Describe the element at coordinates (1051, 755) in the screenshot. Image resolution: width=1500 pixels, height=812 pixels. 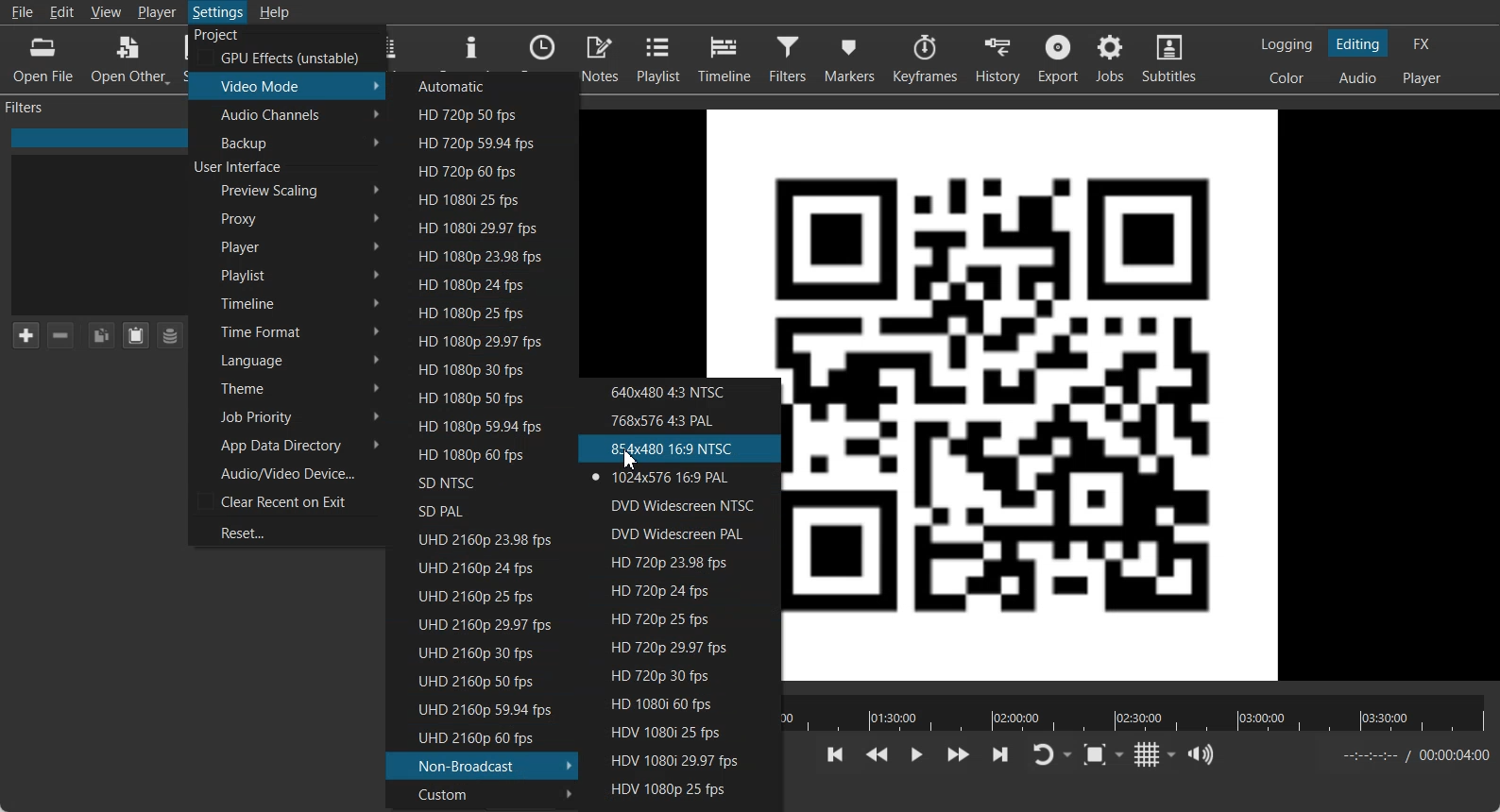
I see `Toggle Player looping` at that location.